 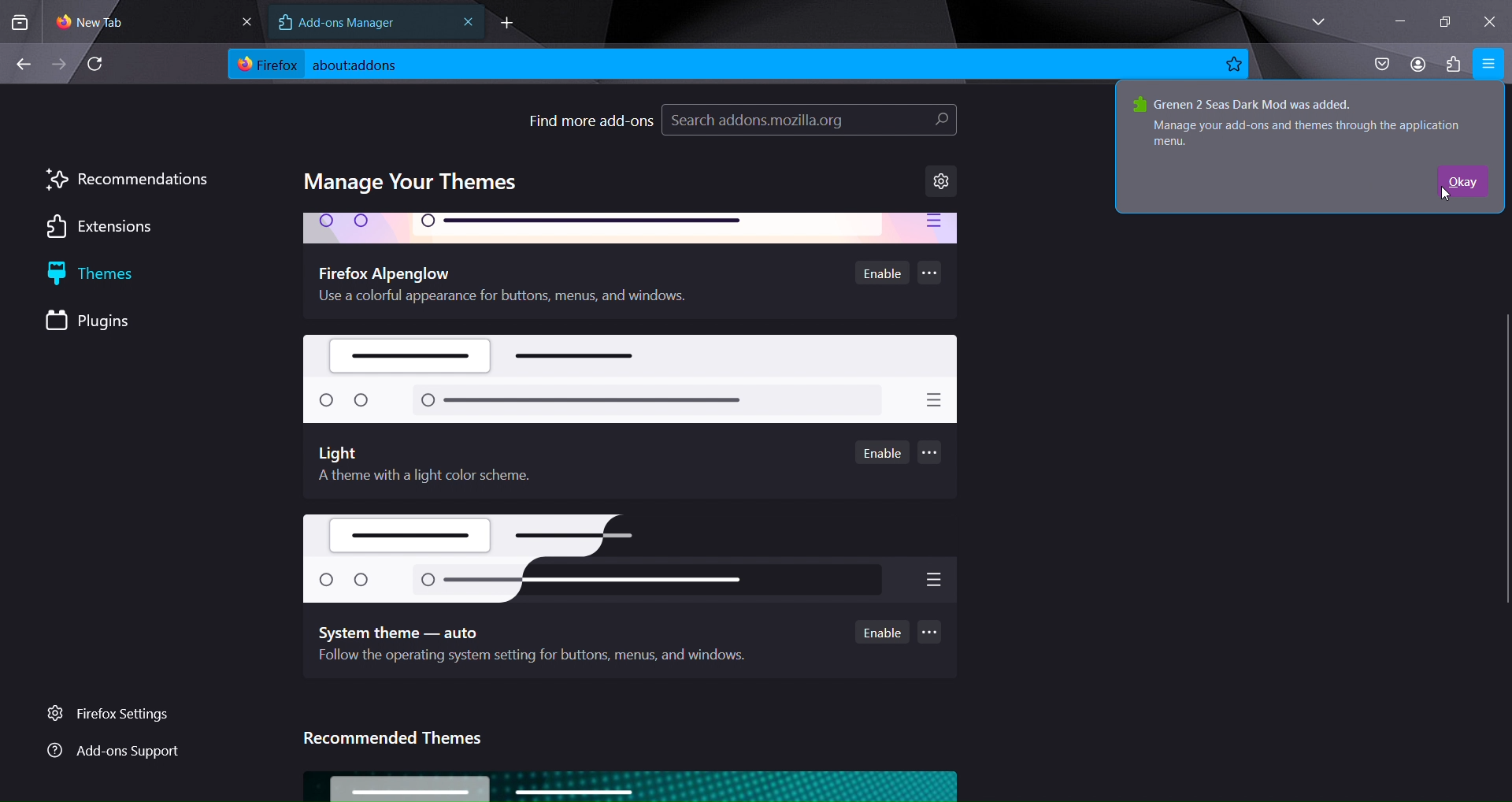 What do you see at coordinates (809, 122) in the screenshot?
I see `search addons.mozilla.org` at bounding box center [809, 122].